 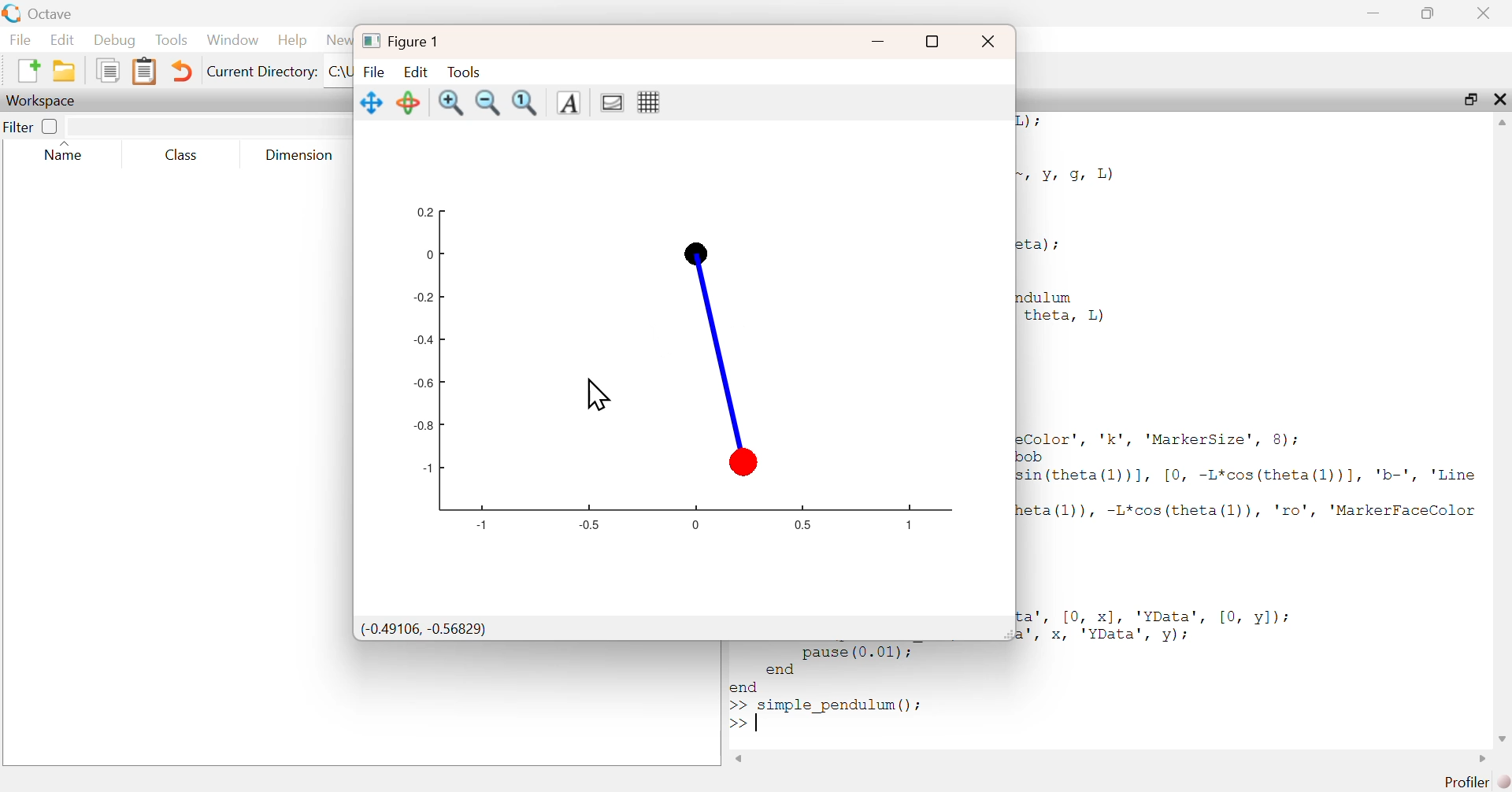 I want to click on New Line, so click(x=736, y=724).